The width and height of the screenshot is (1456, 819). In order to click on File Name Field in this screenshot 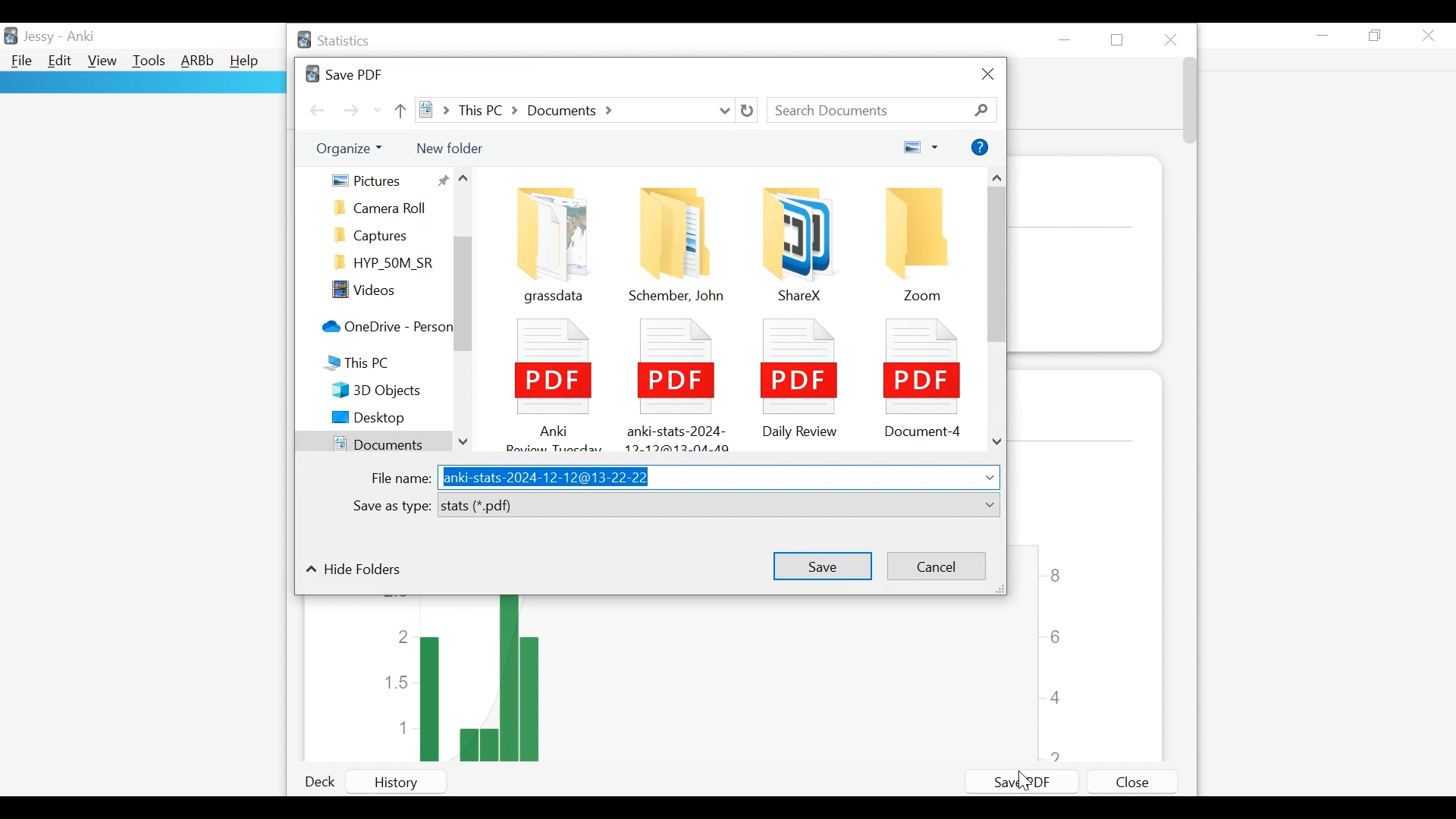, I will do `click(717, 478)`.